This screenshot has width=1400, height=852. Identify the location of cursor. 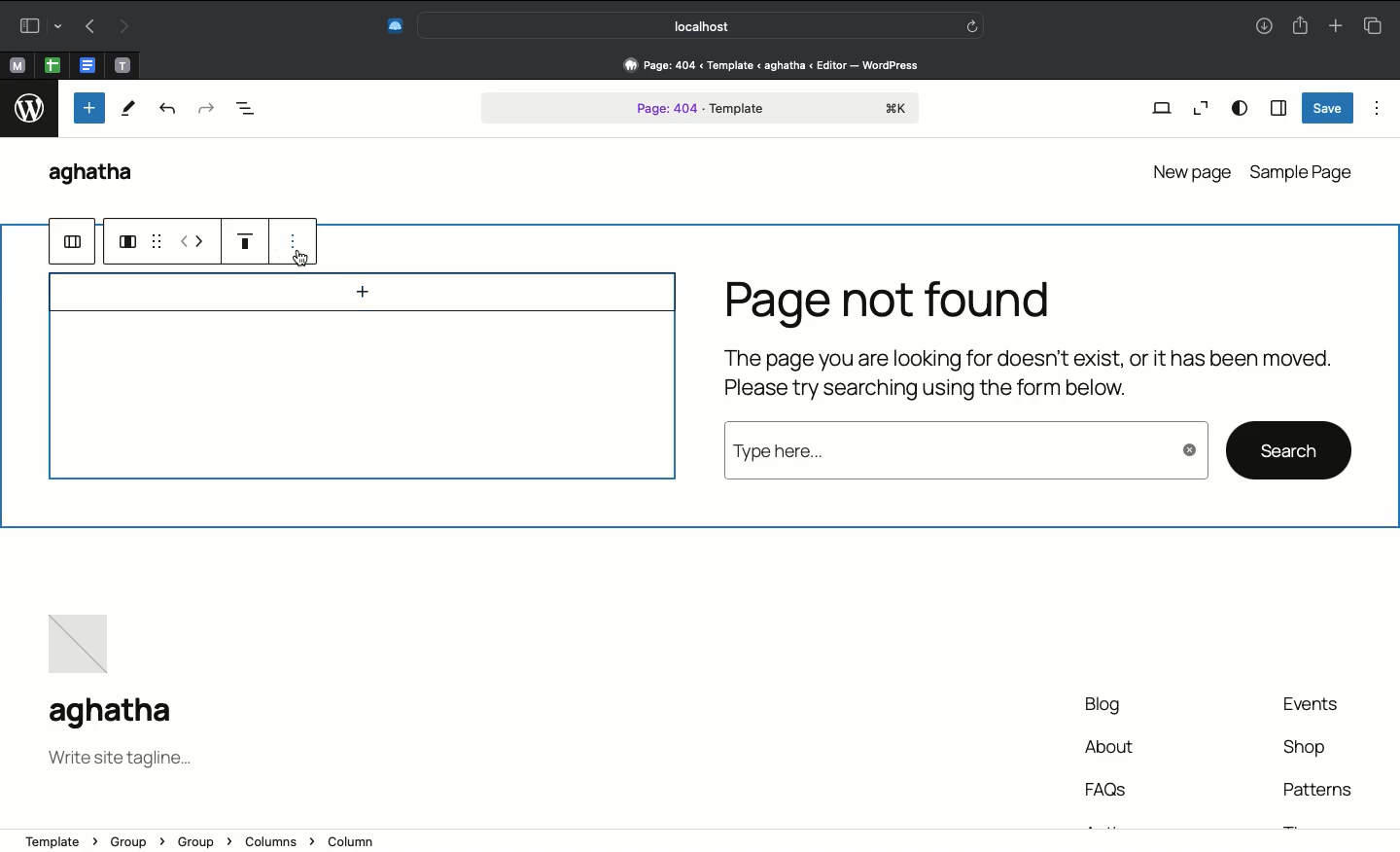
(300, 259).